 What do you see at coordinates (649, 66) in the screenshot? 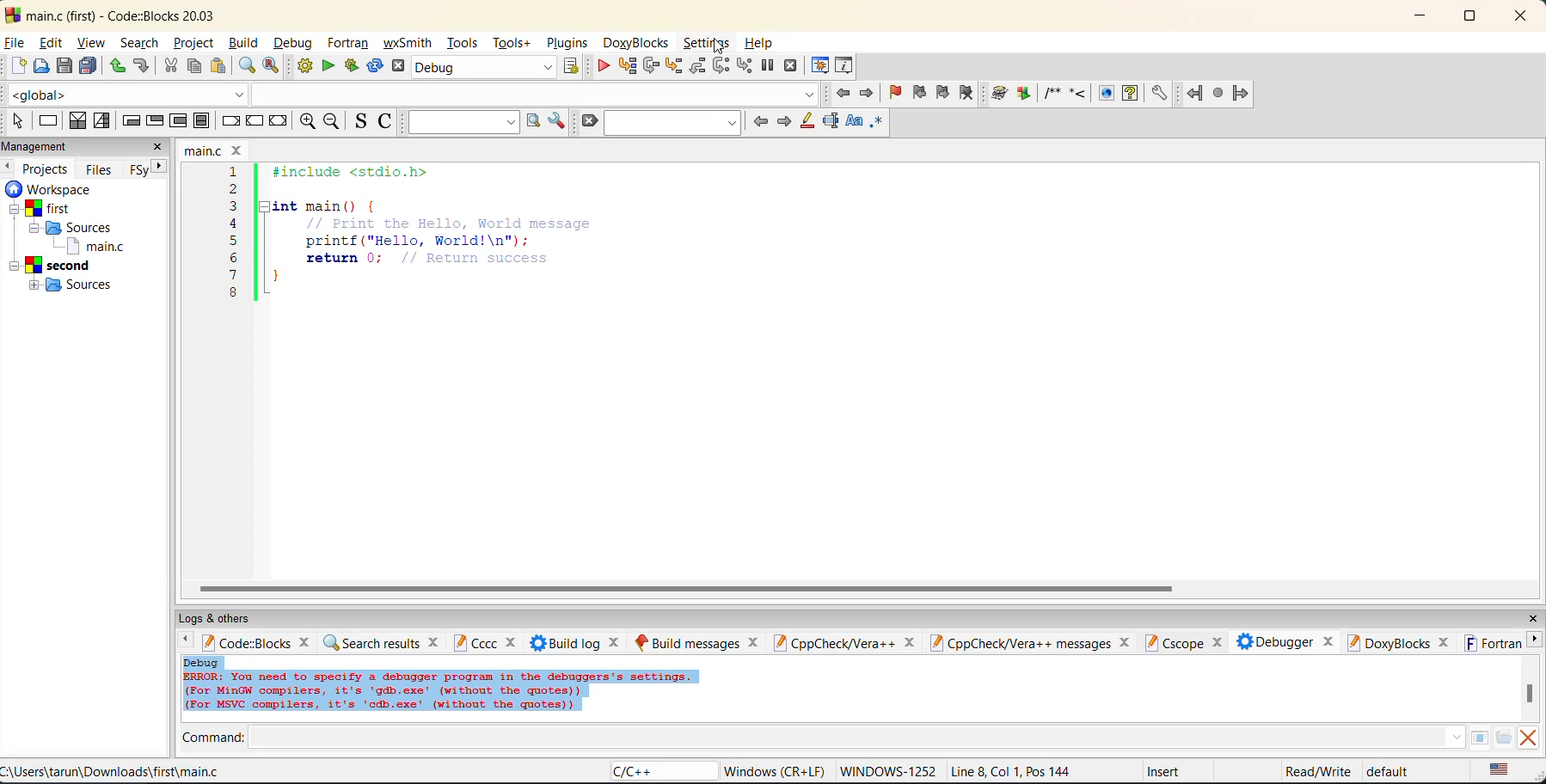
I see `next line` at bounding box center [649, 66].